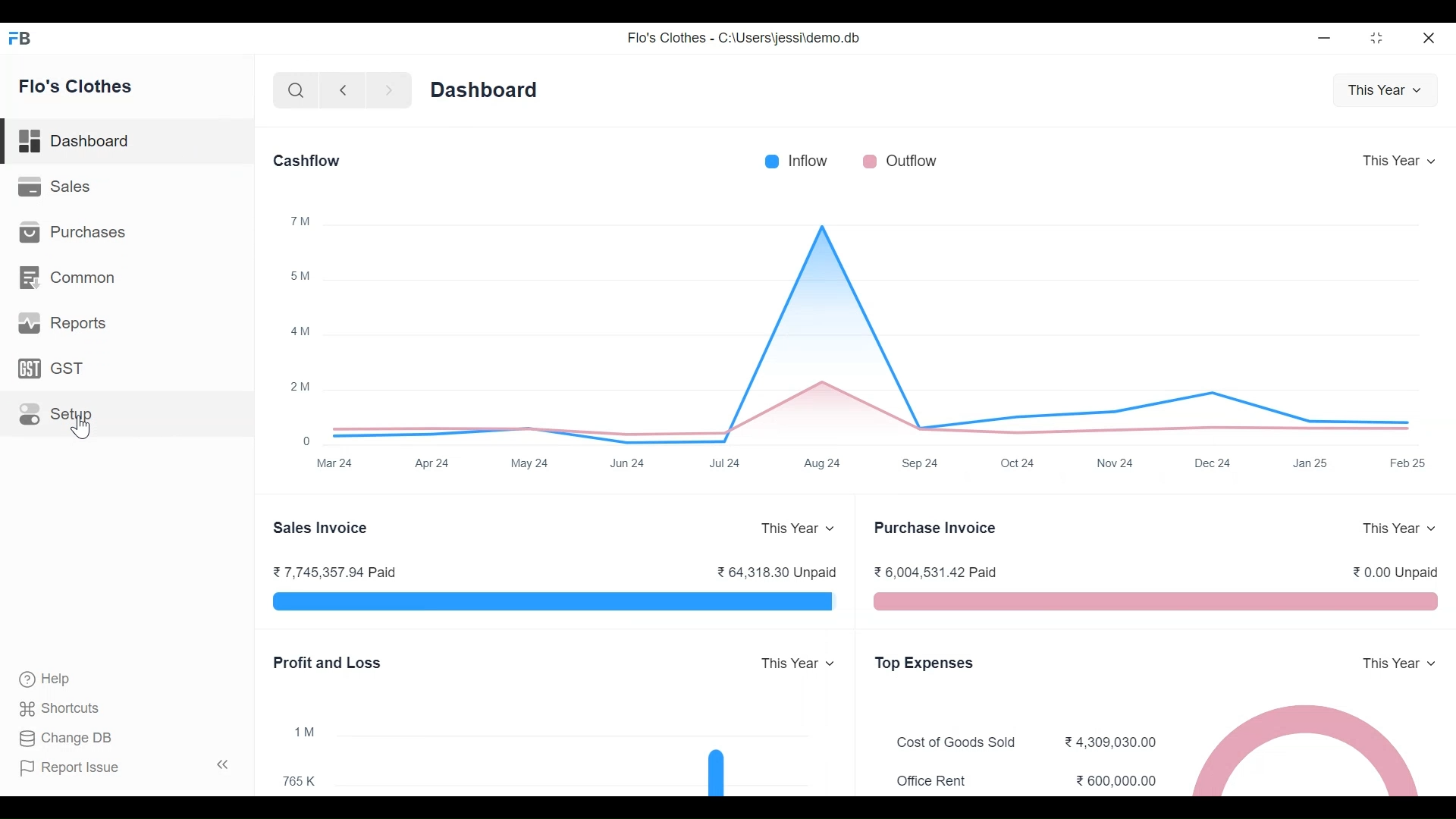 Image resolution: width=1456 pixels, height=819 pixels. Describe the element at coordinates (45, 679) in the screenshot. I see `help` at that location.